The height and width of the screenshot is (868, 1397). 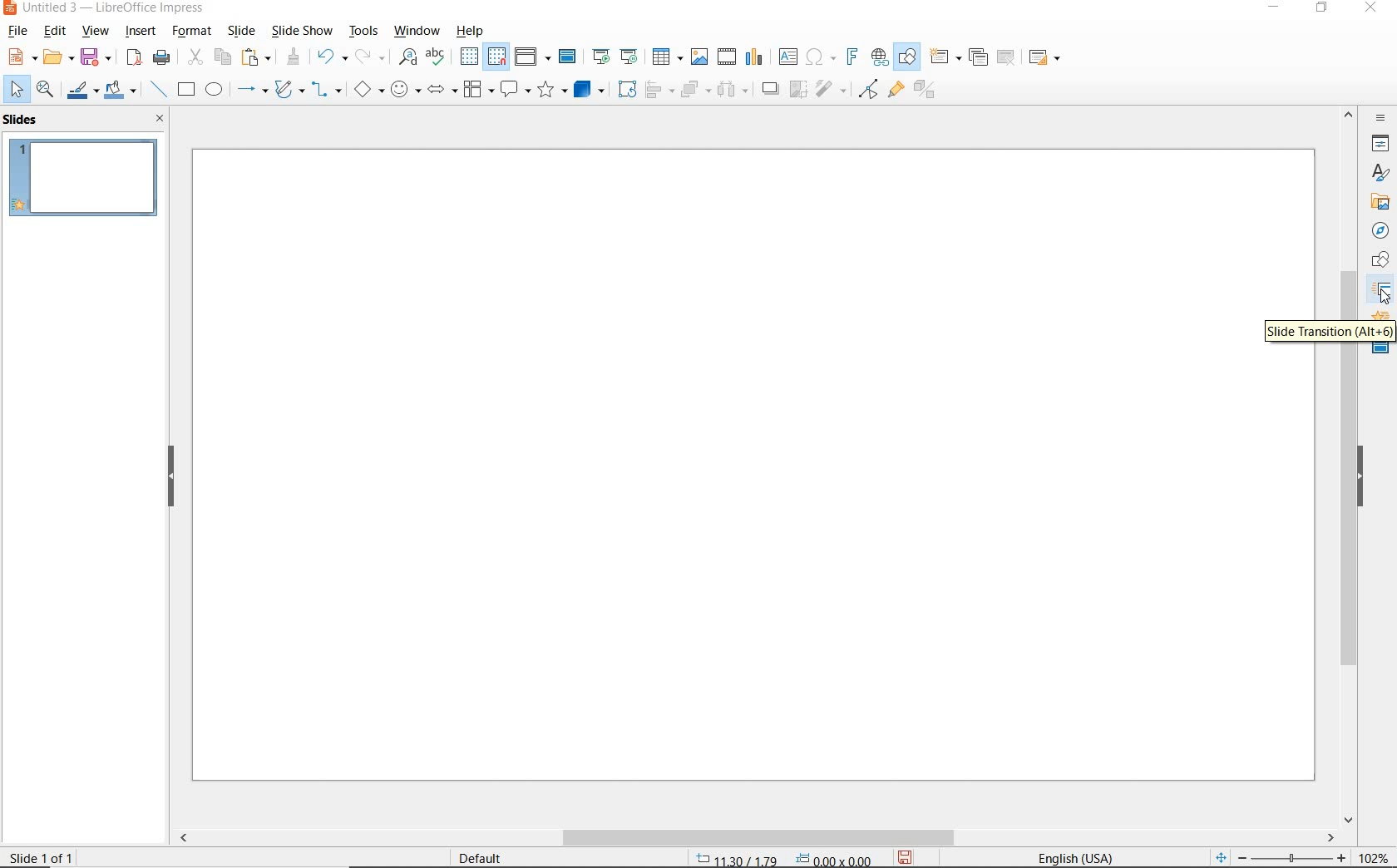 I want to click on INSERT TEXT BOX, so click(x=787, y=57).